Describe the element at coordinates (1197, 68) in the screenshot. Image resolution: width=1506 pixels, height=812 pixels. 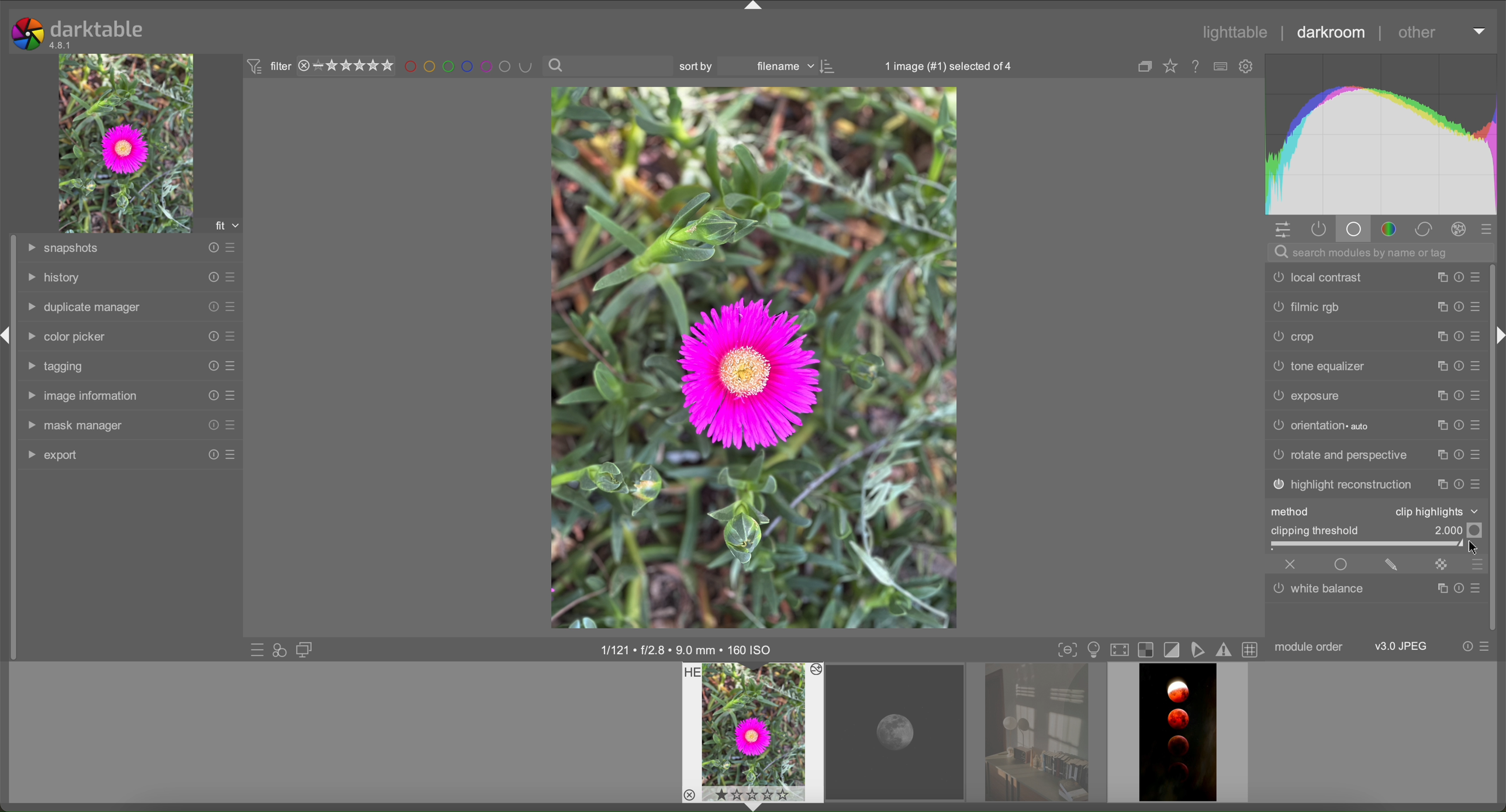
I see `online help` at that location.